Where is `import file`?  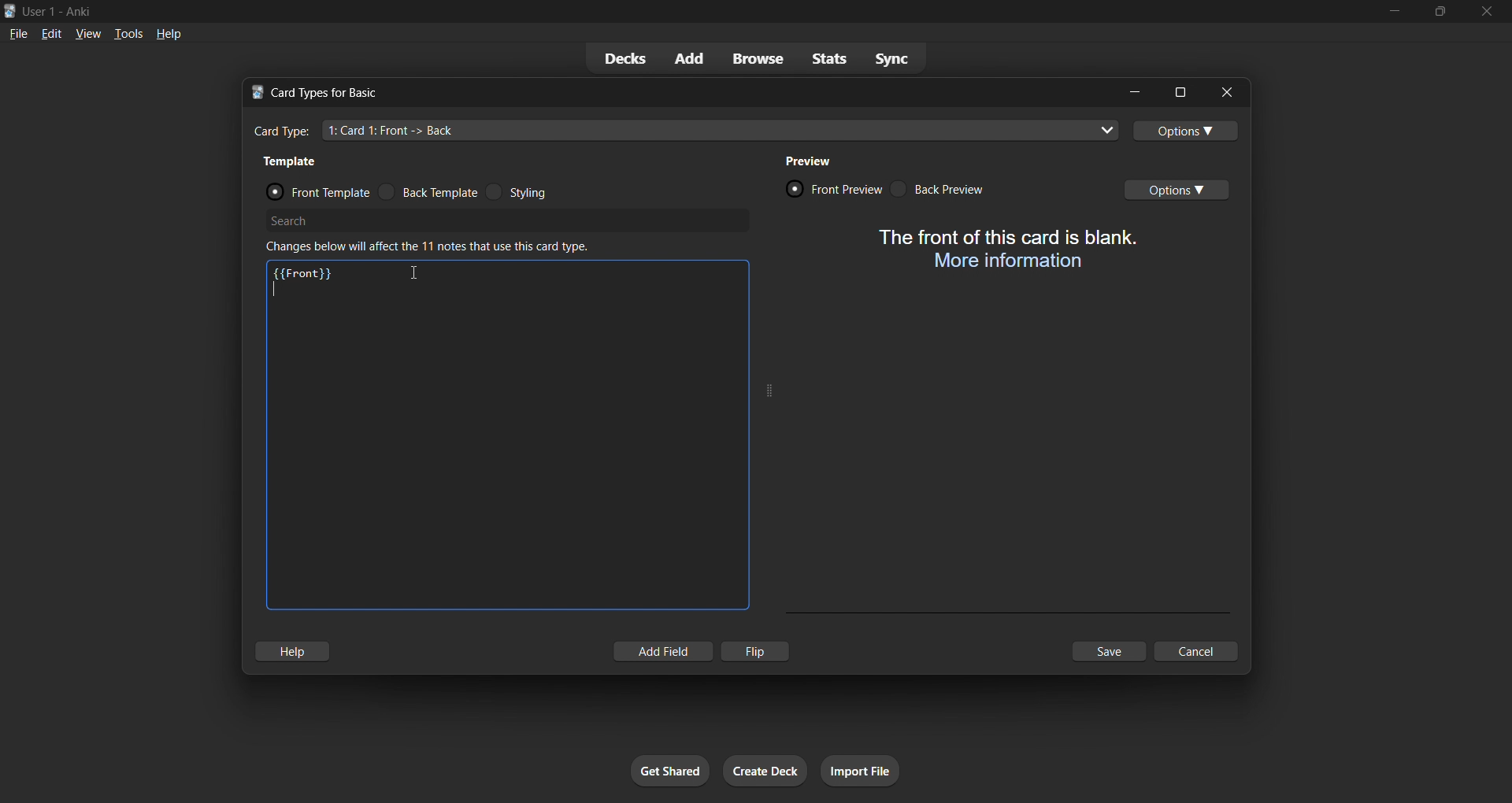 import file is located at coordinates (865, 772).